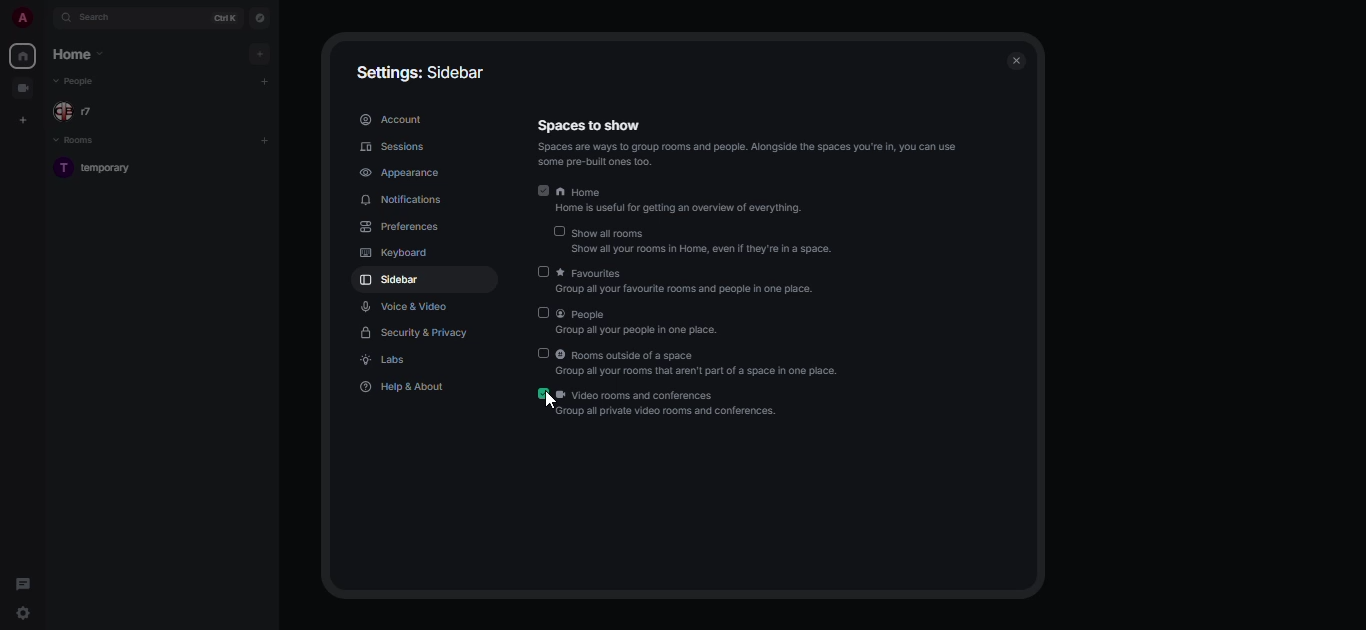 The image size is (1366, 630). I want to click on home, so click(21, 56).